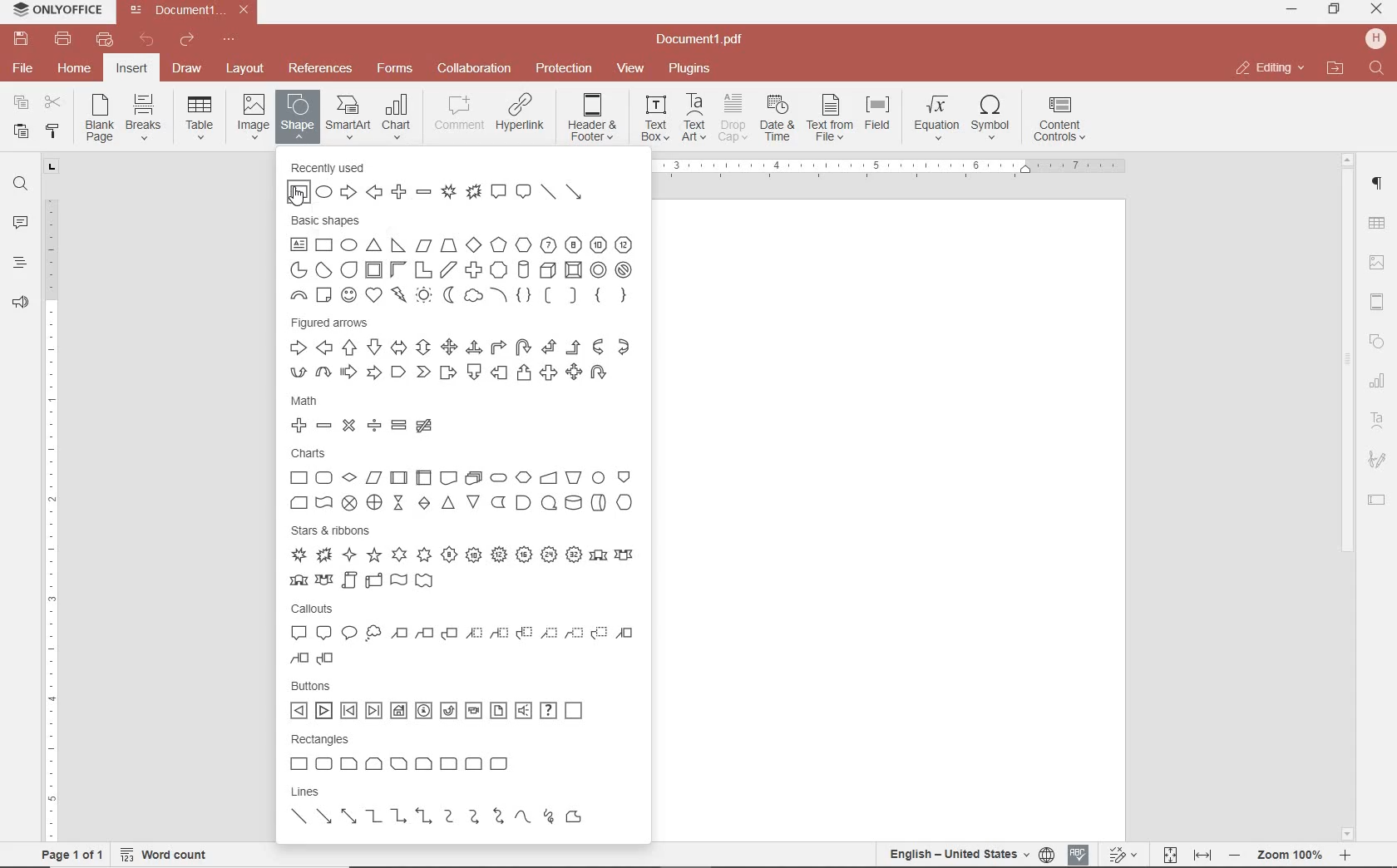  Describe the element at coordinates (295, 199) in the screenshot. I see `cursor` at that location.